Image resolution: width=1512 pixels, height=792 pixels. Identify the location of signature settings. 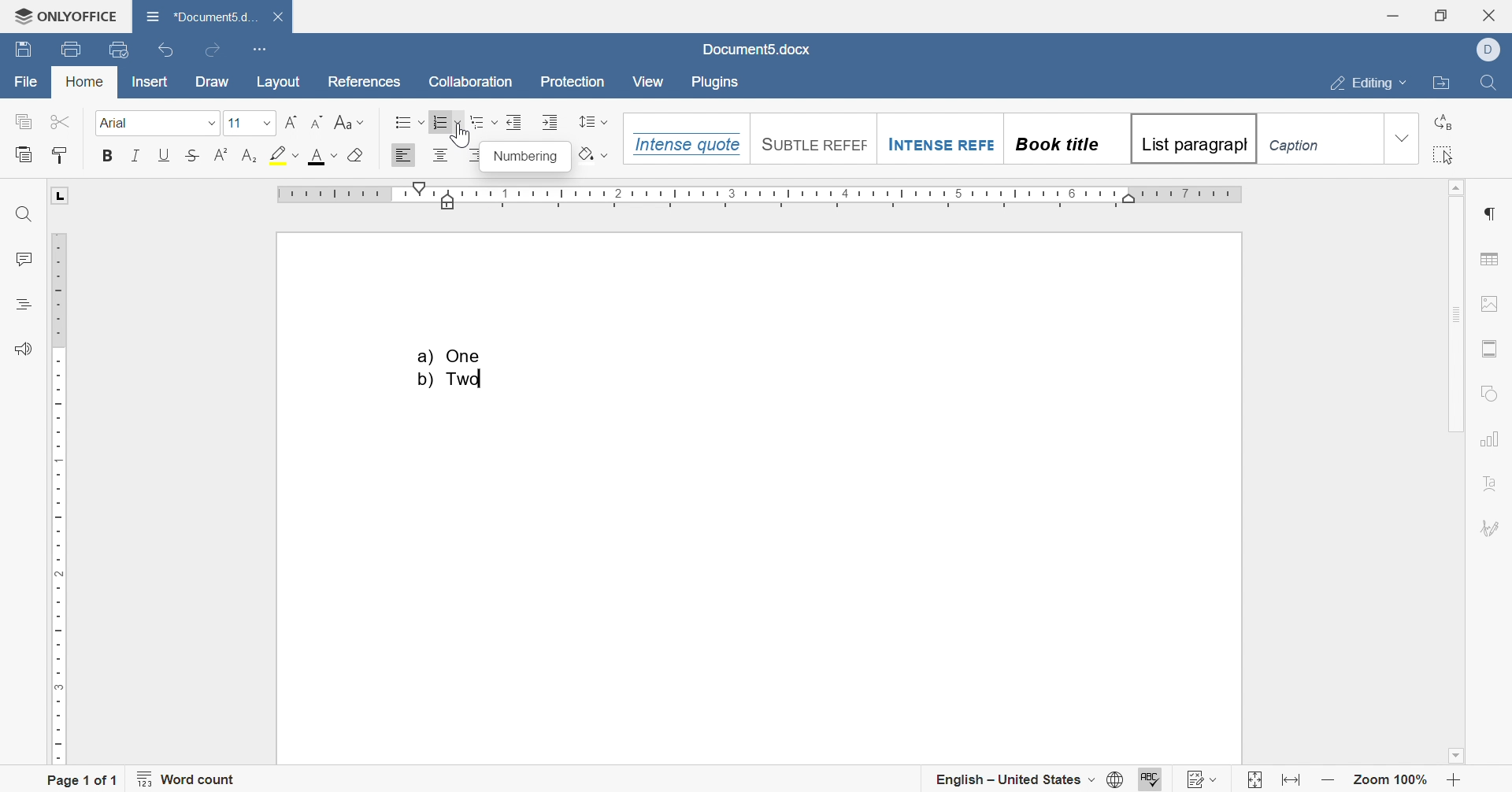
(1492, 529).